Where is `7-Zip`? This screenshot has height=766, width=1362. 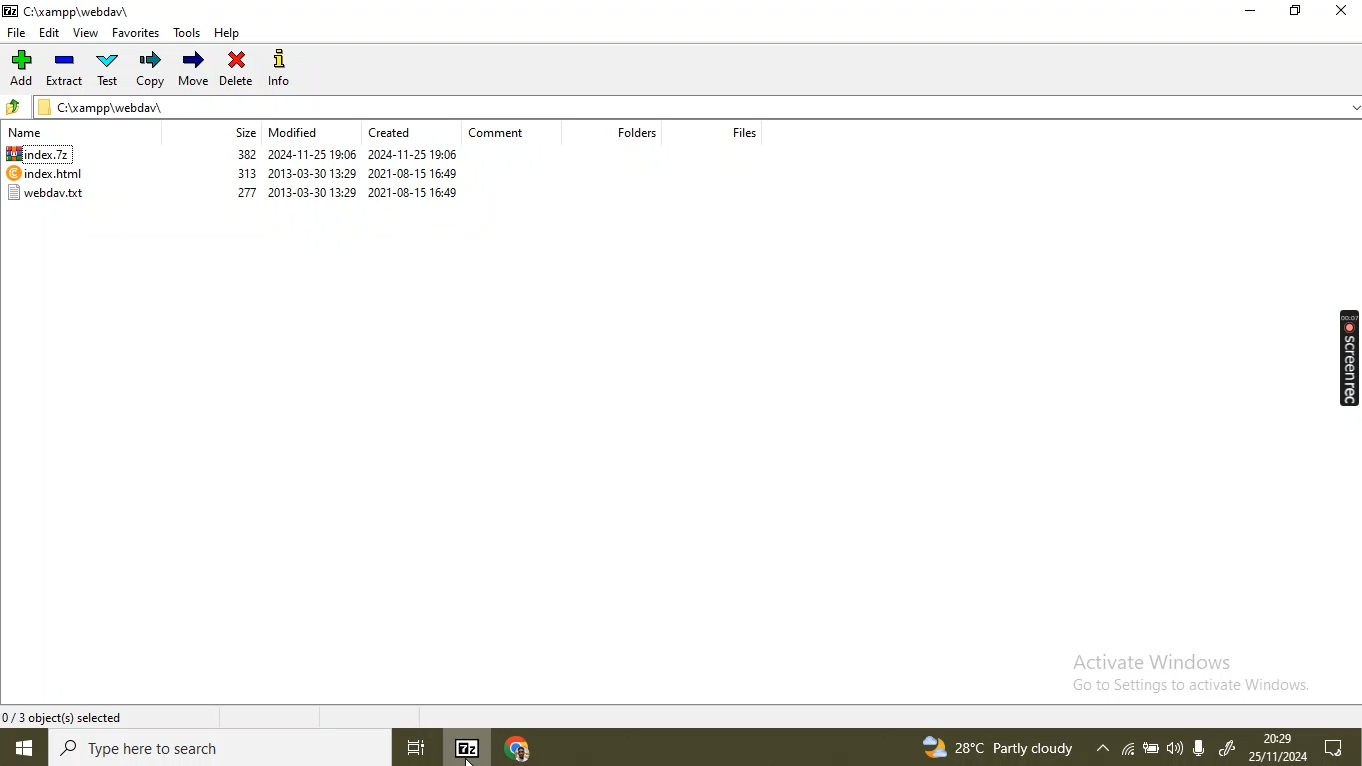
7-Zip is located at coordinates (465, 748).